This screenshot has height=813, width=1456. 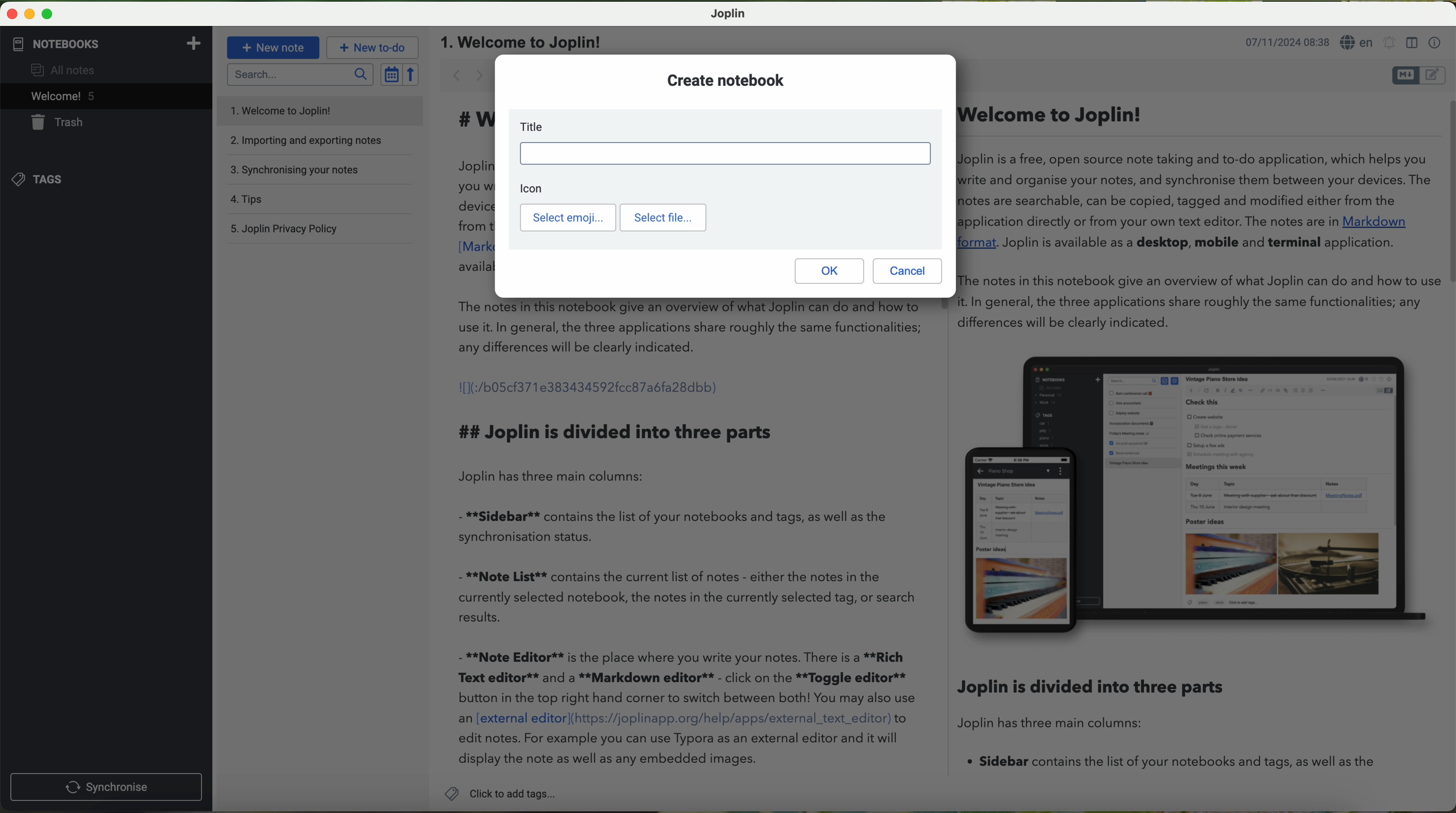 I want to click on toggle editors, so click(x=1419, y=76).